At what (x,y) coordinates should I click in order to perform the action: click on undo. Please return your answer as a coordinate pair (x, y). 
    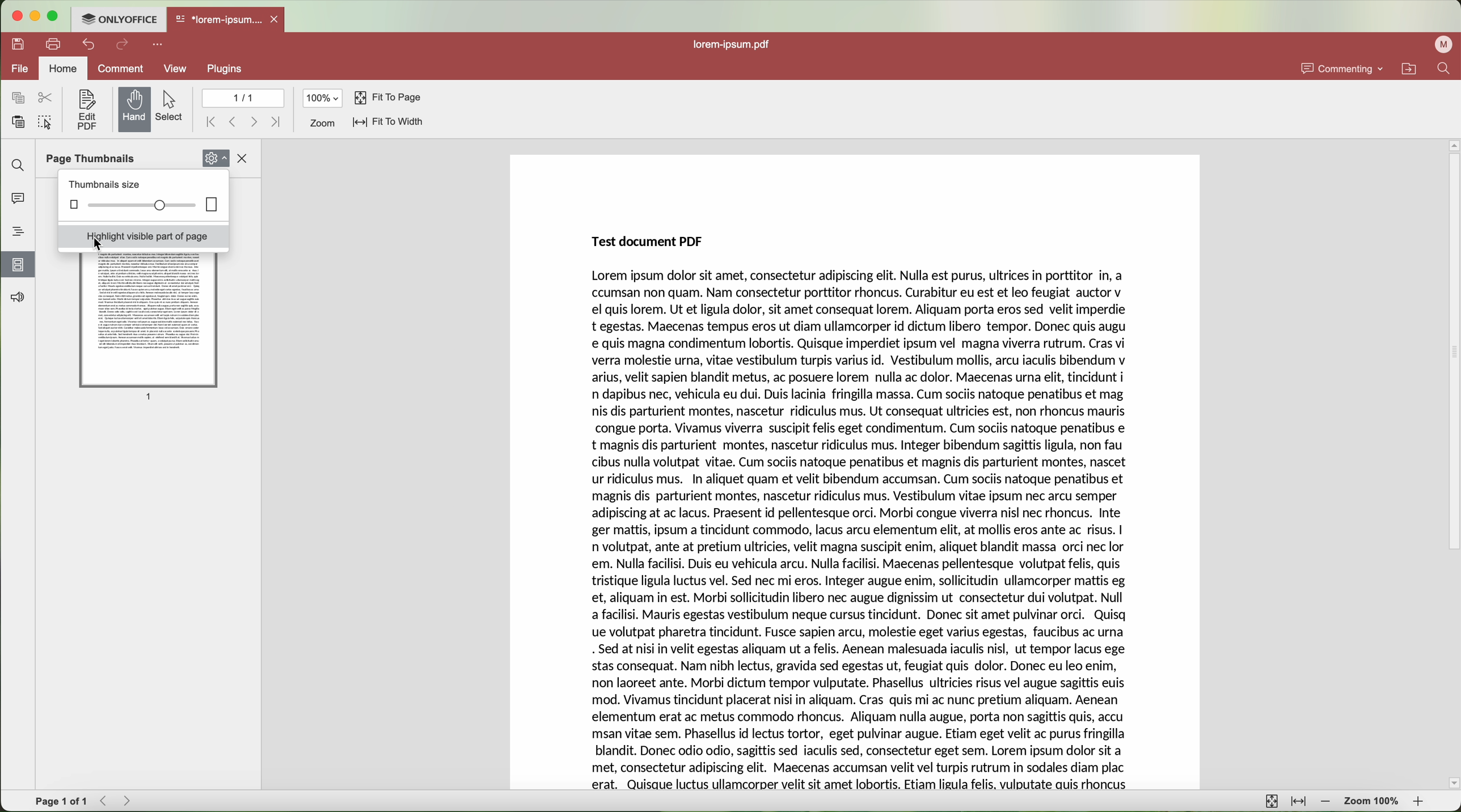
    Looking at the image, I should click on (86, 44).